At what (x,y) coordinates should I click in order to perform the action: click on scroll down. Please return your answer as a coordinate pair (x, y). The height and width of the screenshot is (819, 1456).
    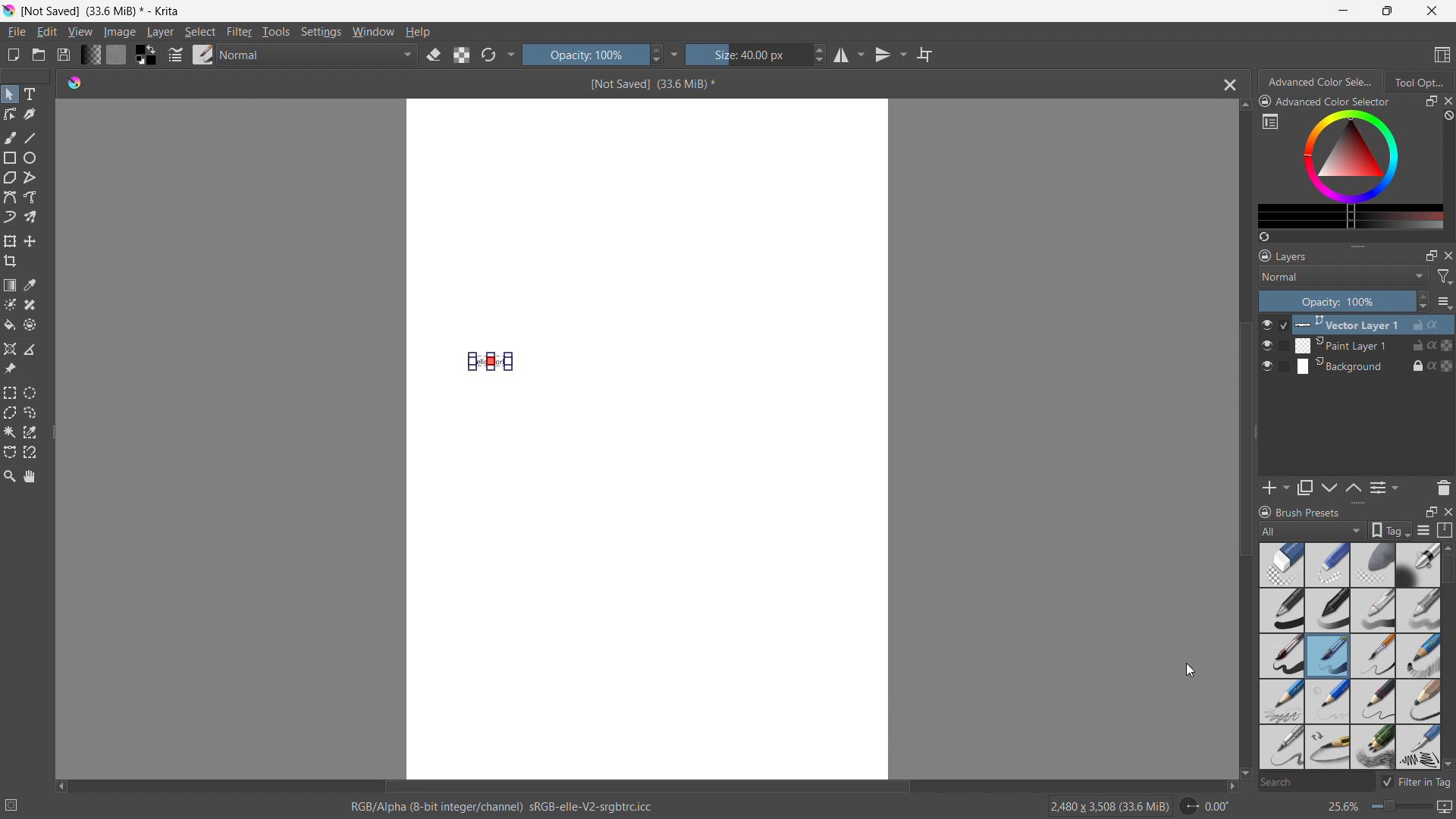
    Looking at the image, I should click on (1447, 764).